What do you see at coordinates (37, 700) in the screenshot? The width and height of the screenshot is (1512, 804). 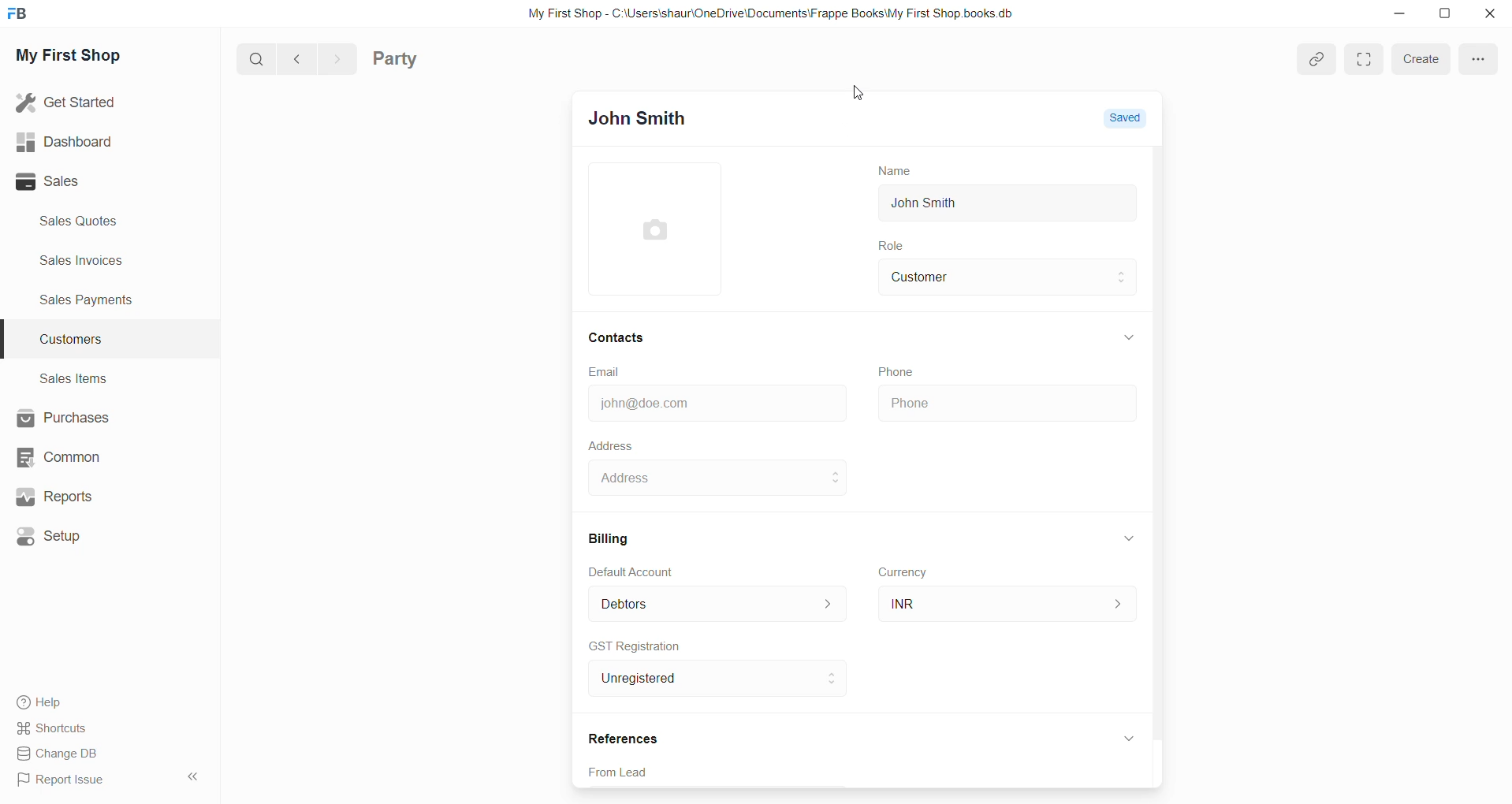 I see `Help` at bounding box center [37, 700].